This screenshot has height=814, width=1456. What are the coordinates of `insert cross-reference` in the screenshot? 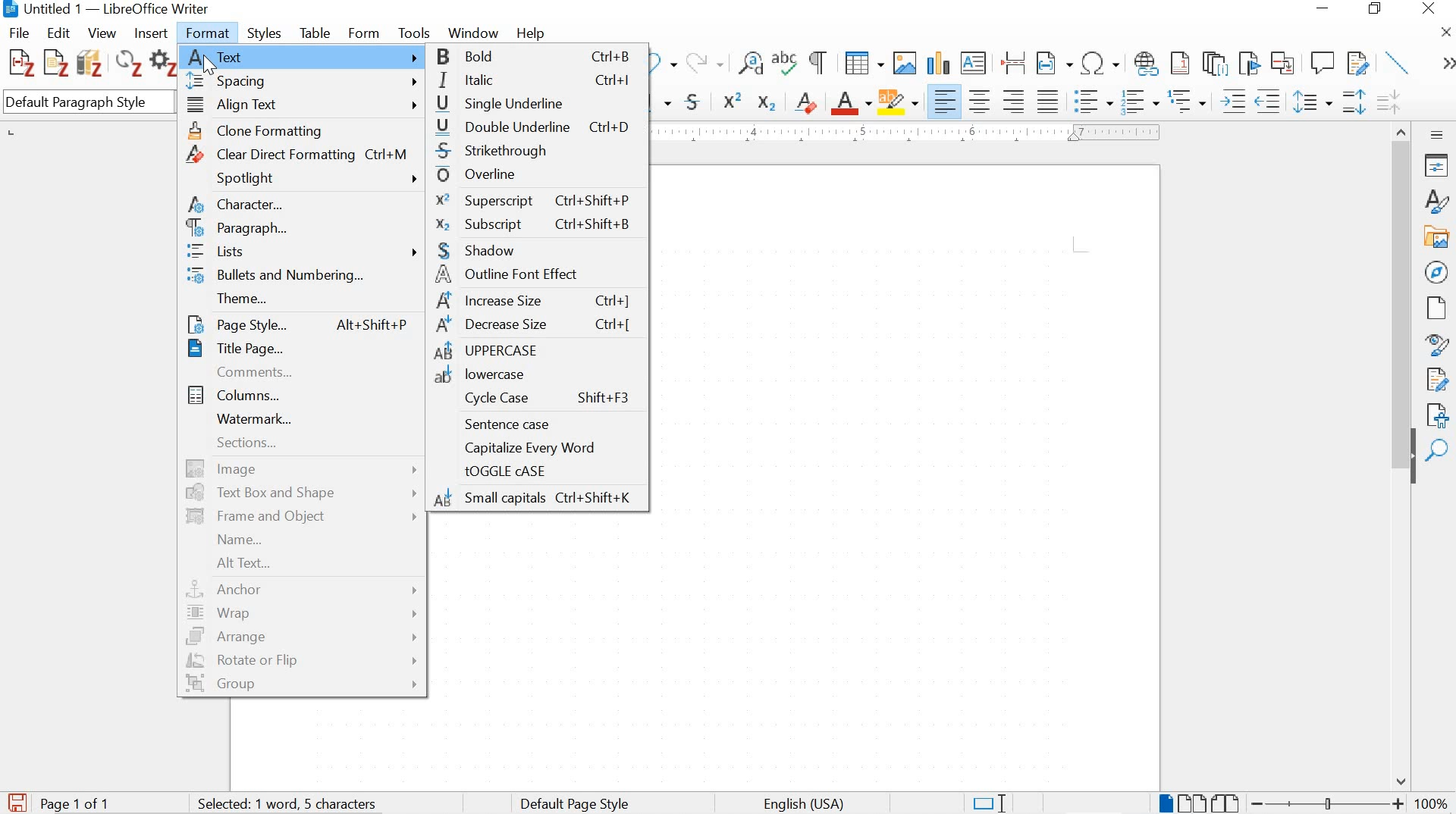 It's located at (1284, 62).